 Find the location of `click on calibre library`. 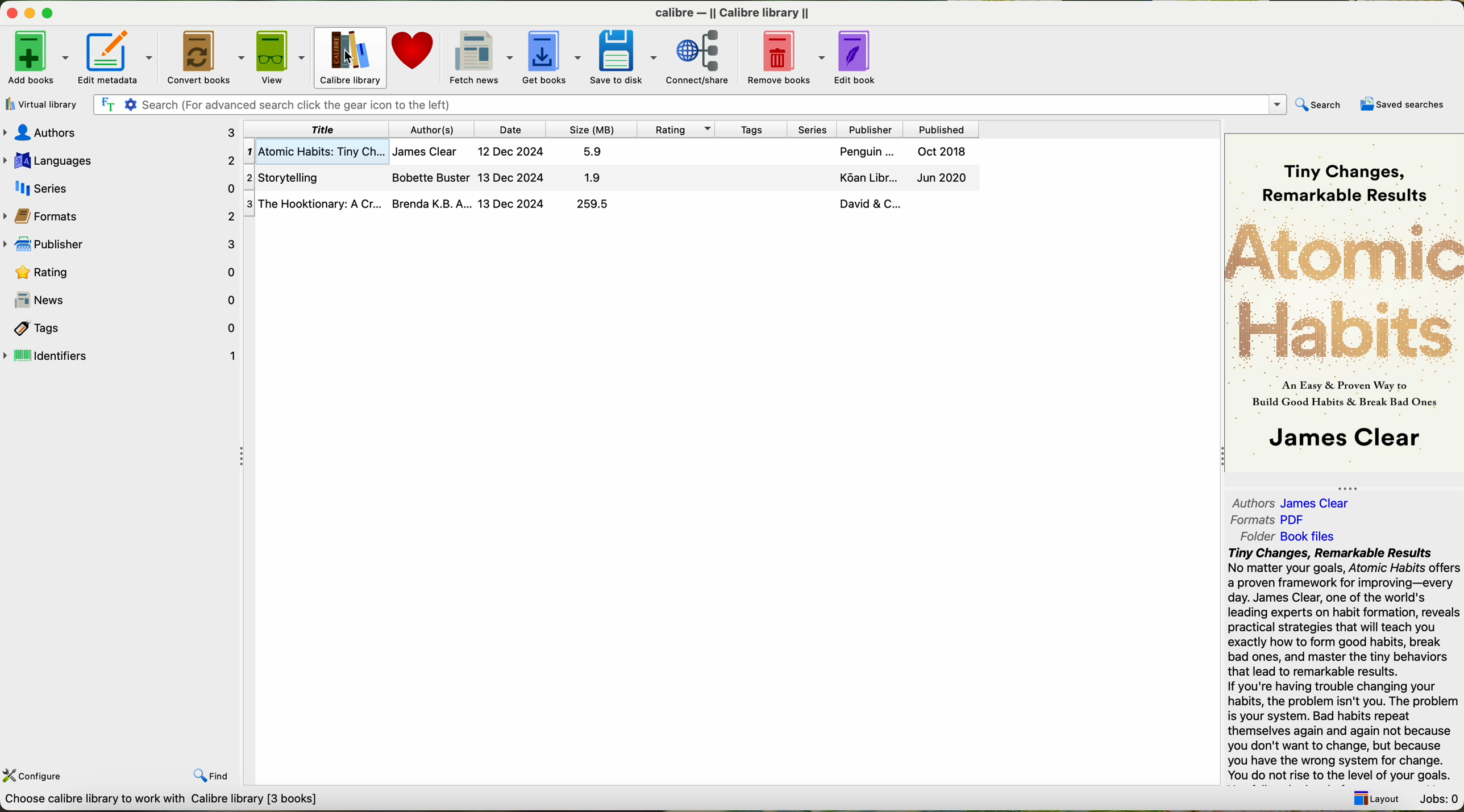

click on calibre library is located at coordinates (348, 57).